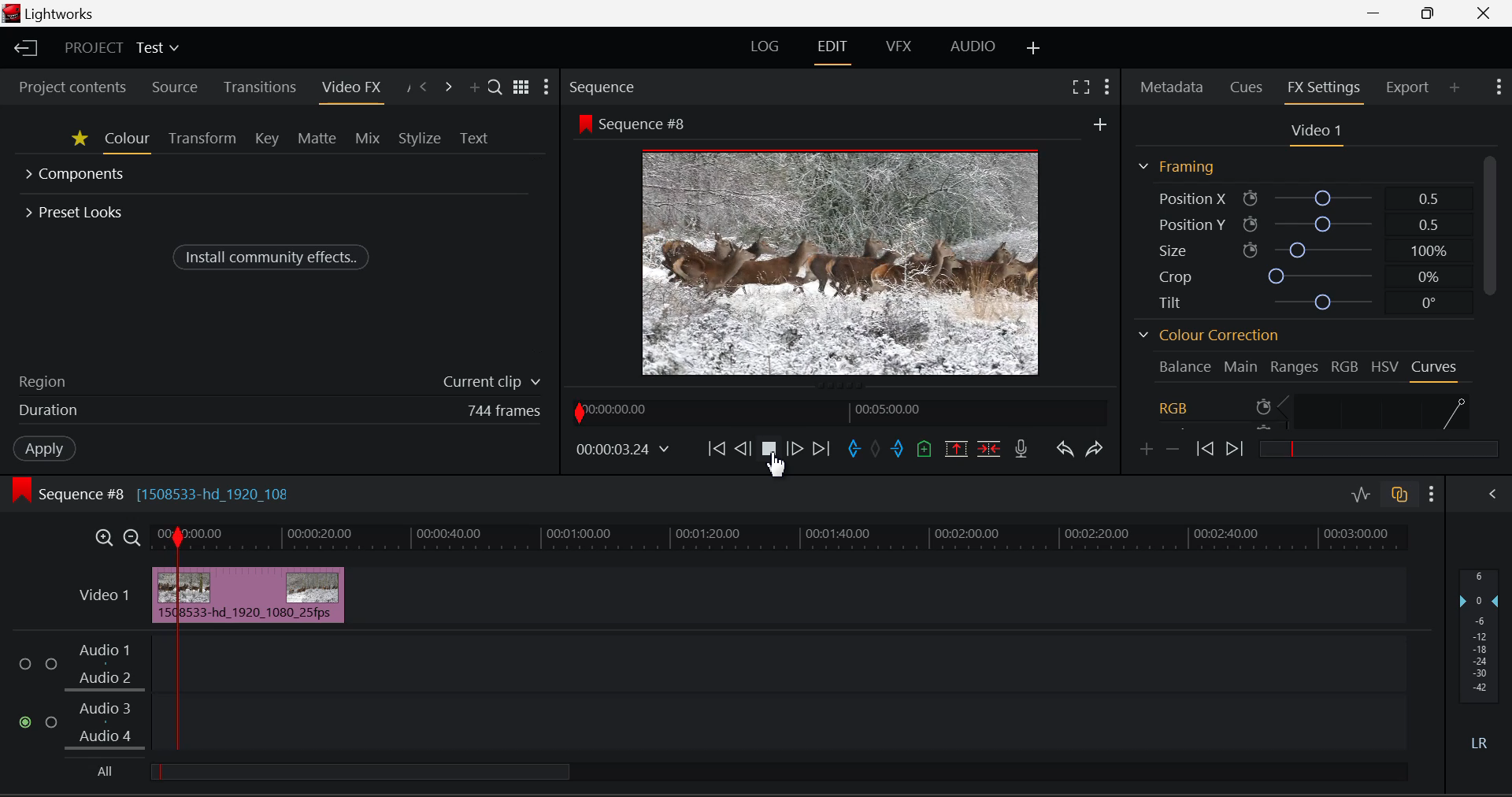 This screenshot has height=797, width=1512. What do you see at coordinates (369, 139) in the screenshot?
I see `Mix` at bounding box center [369, 139].